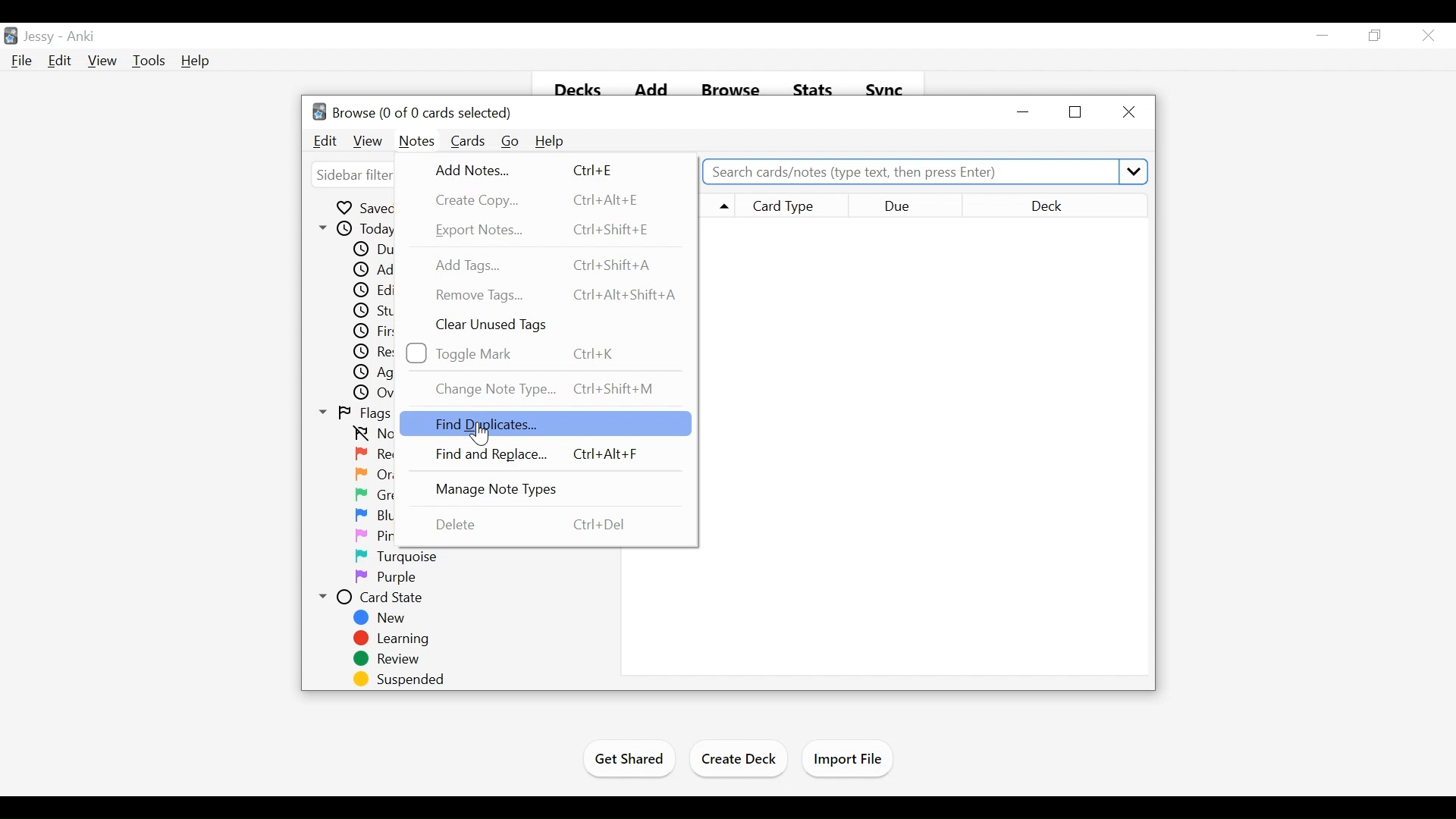 This screenshot has width=1456, height=819. I want to click on Close, so click(1127, 111).